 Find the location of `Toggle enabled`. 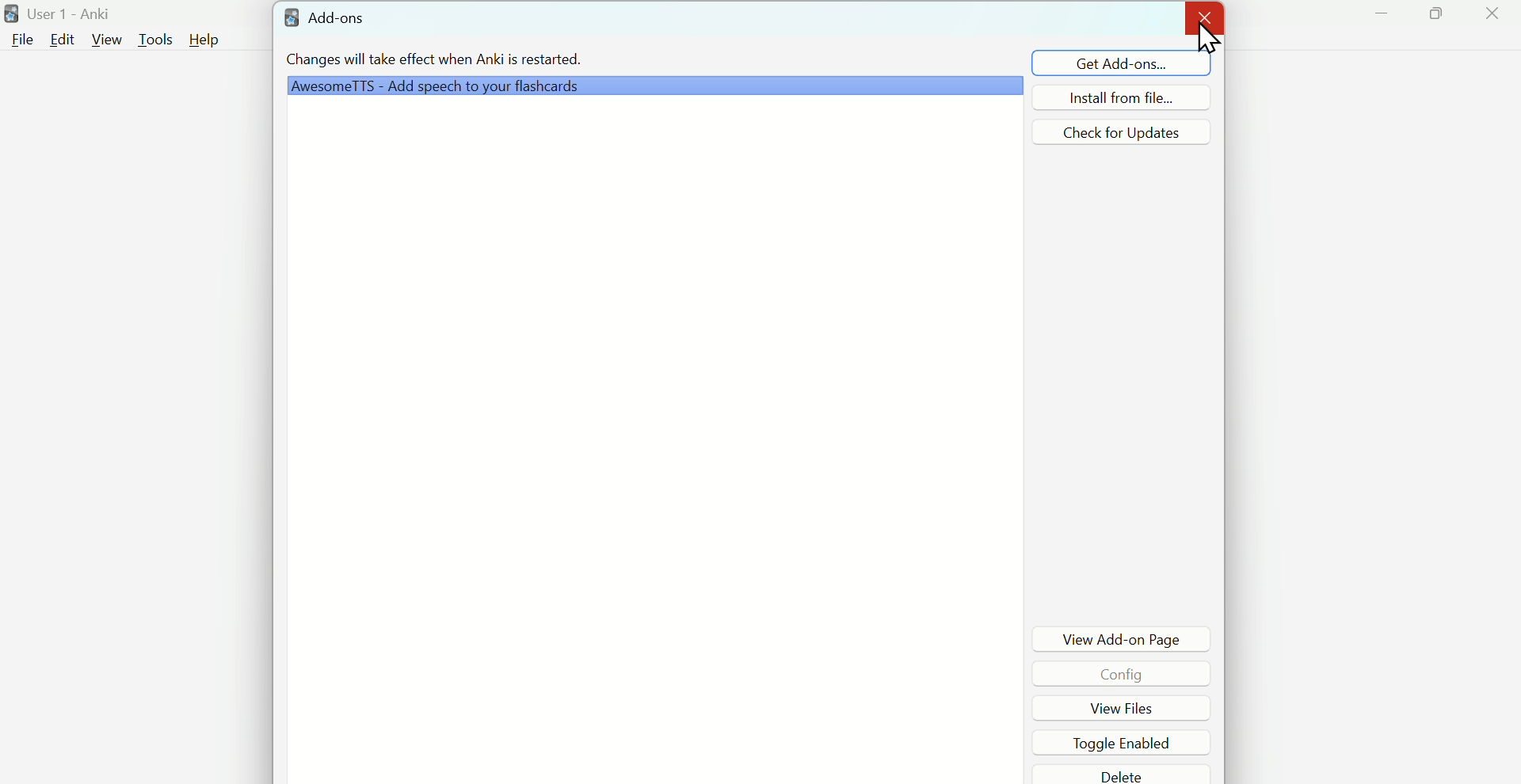

Toggle enabled is located at coordinates (1113, 744).